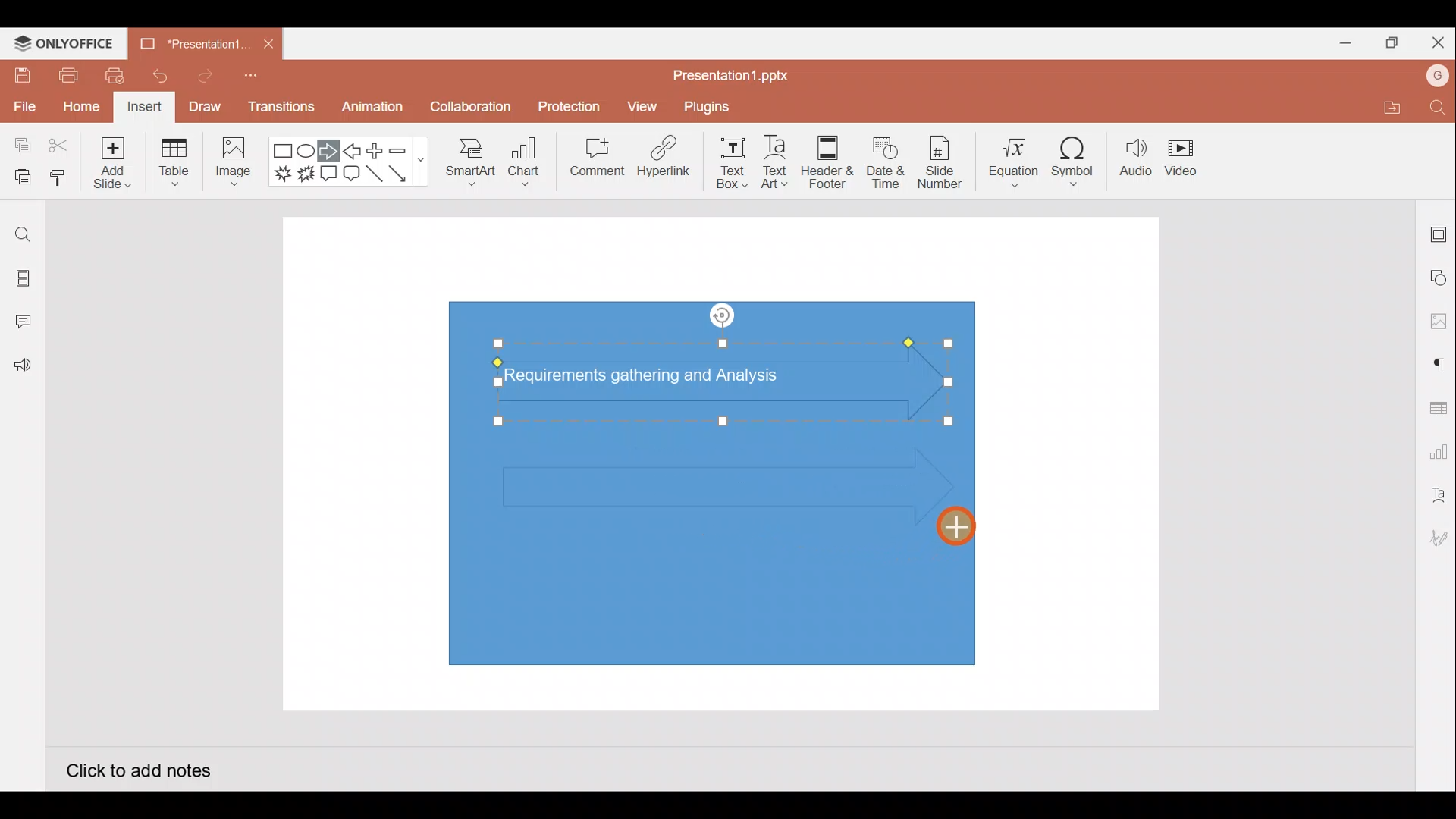 This screenshot has height=819, width=1456. I want to click on Cursor on inserted right arrow, so click(951, 522).